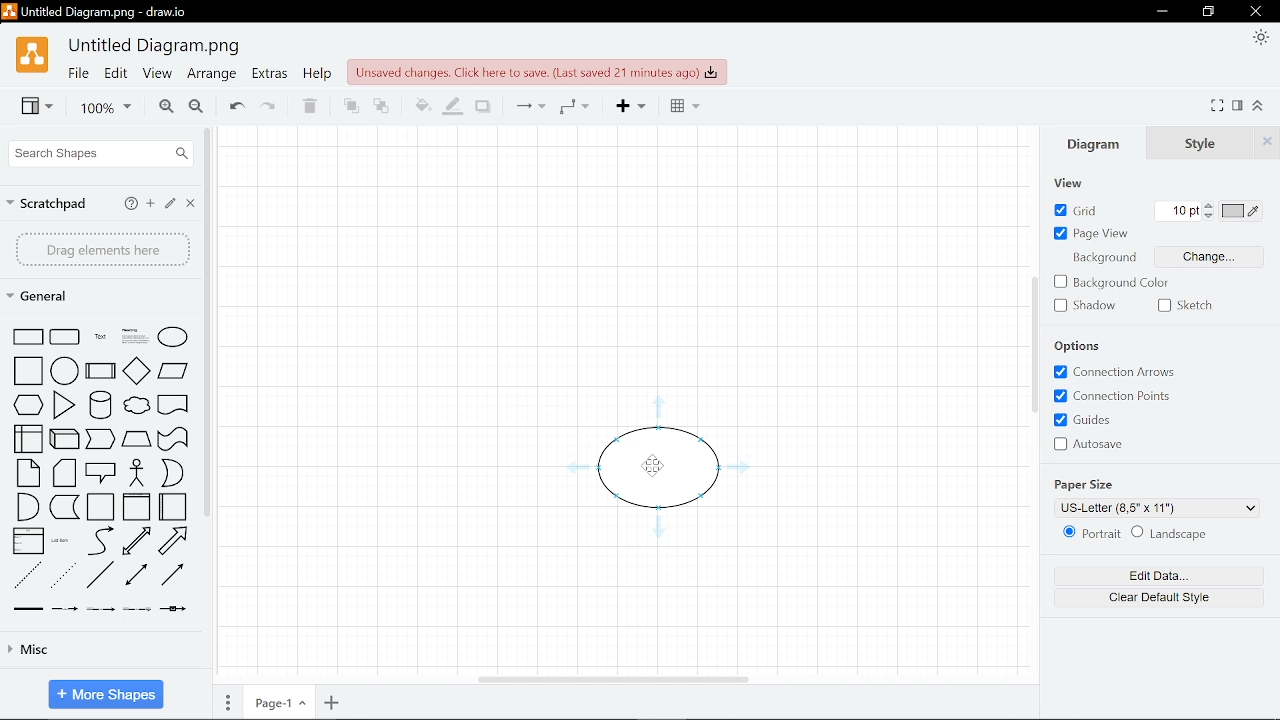 This screenshot has height=720, width=1280. What do you see at coordinates (102, 465) in the screenshot?
I see `Shapes in general shapes` at bounding box center [102, 465].